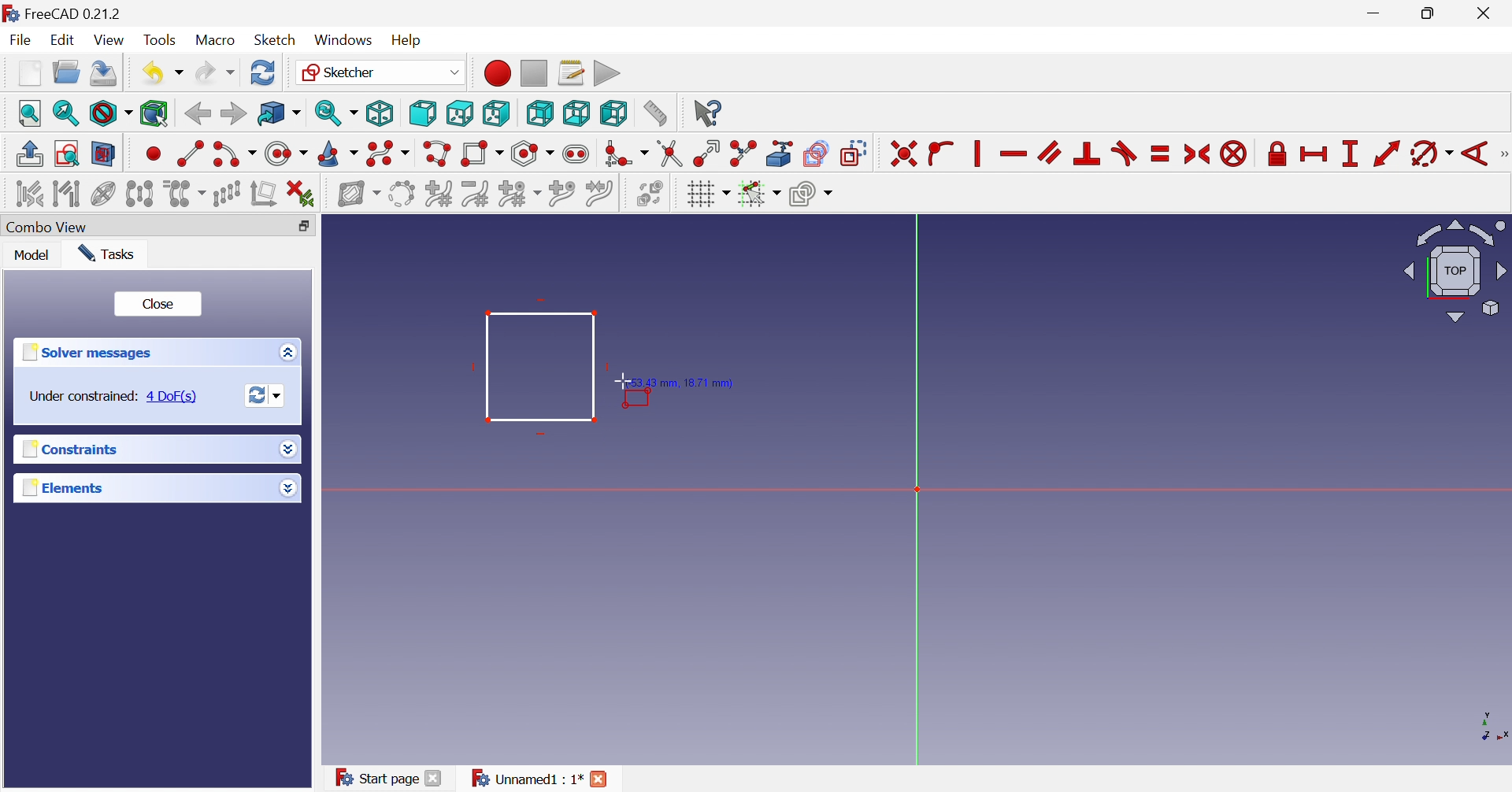 The width and height of the screenshot is (1512, 792). What do you see at coordinates (66, 72) in the screenshot?
I see `Open` at bounding box center [66, 72].